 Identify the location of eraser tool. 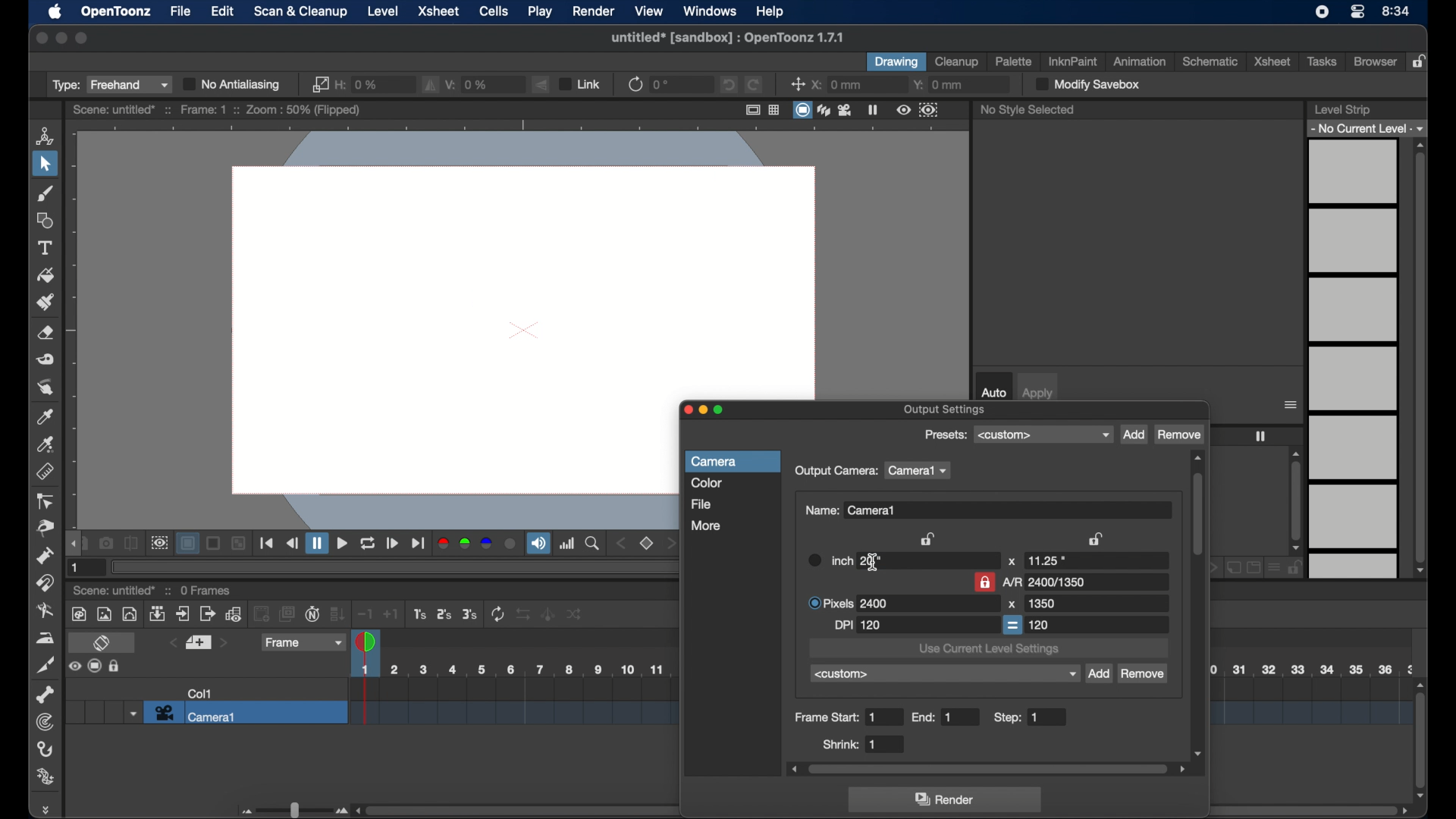
(47, 333).